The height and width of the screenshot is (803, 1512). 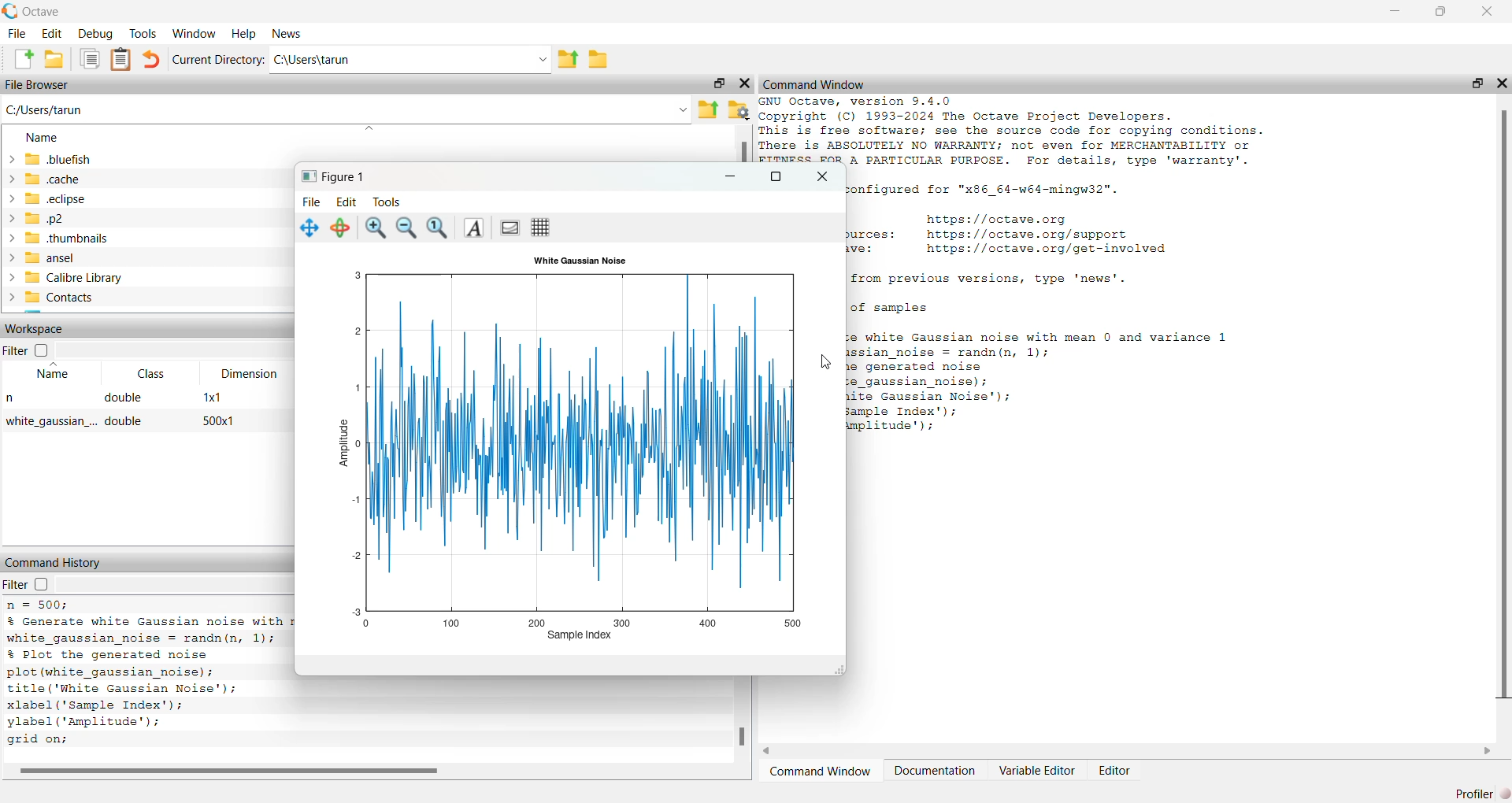 What do you see at coordinates (828, 363) in the screenshot?
I see `cursor movement` at bounding box center [828, 363].